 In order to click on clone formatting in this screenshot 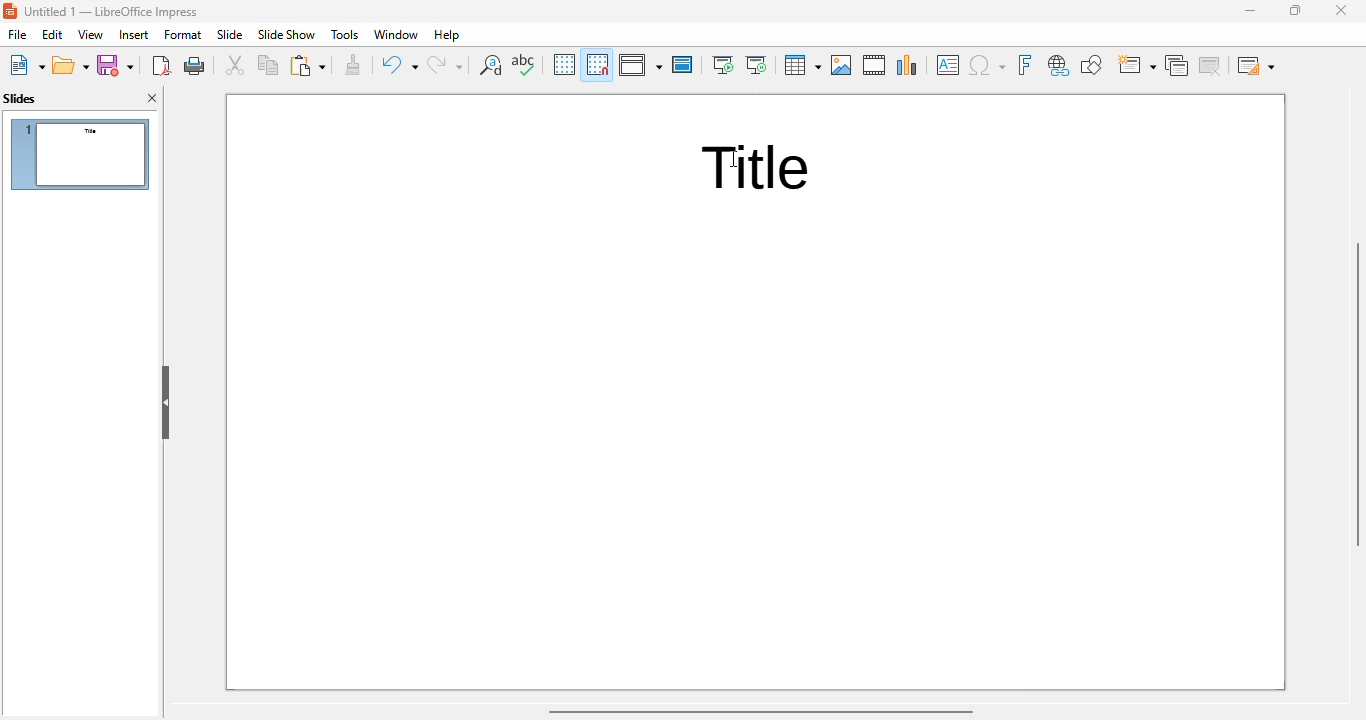, I will do `click(353, 65)`.